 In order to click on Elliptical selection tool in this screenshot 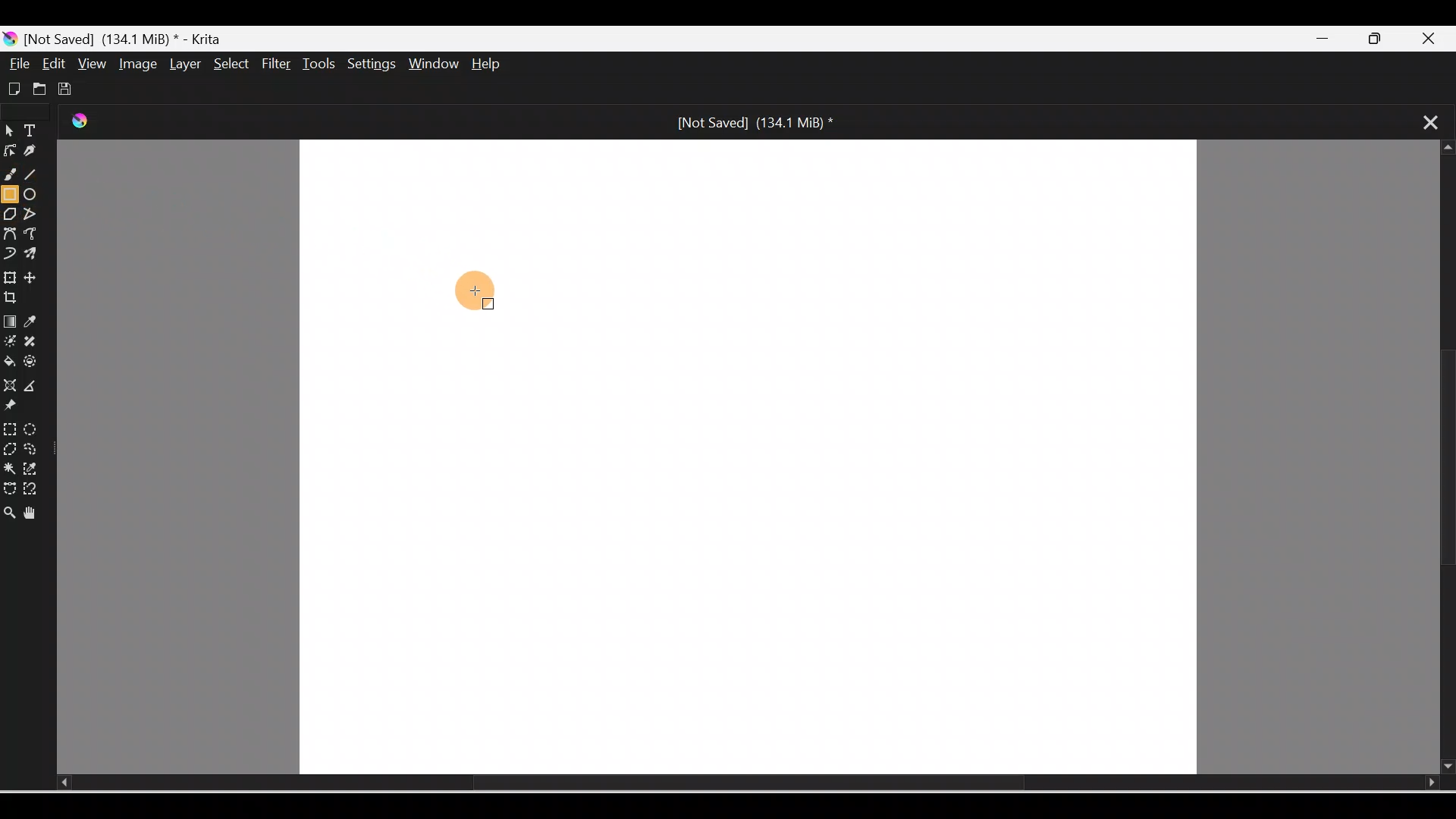, I will do `click(31, 427)`.